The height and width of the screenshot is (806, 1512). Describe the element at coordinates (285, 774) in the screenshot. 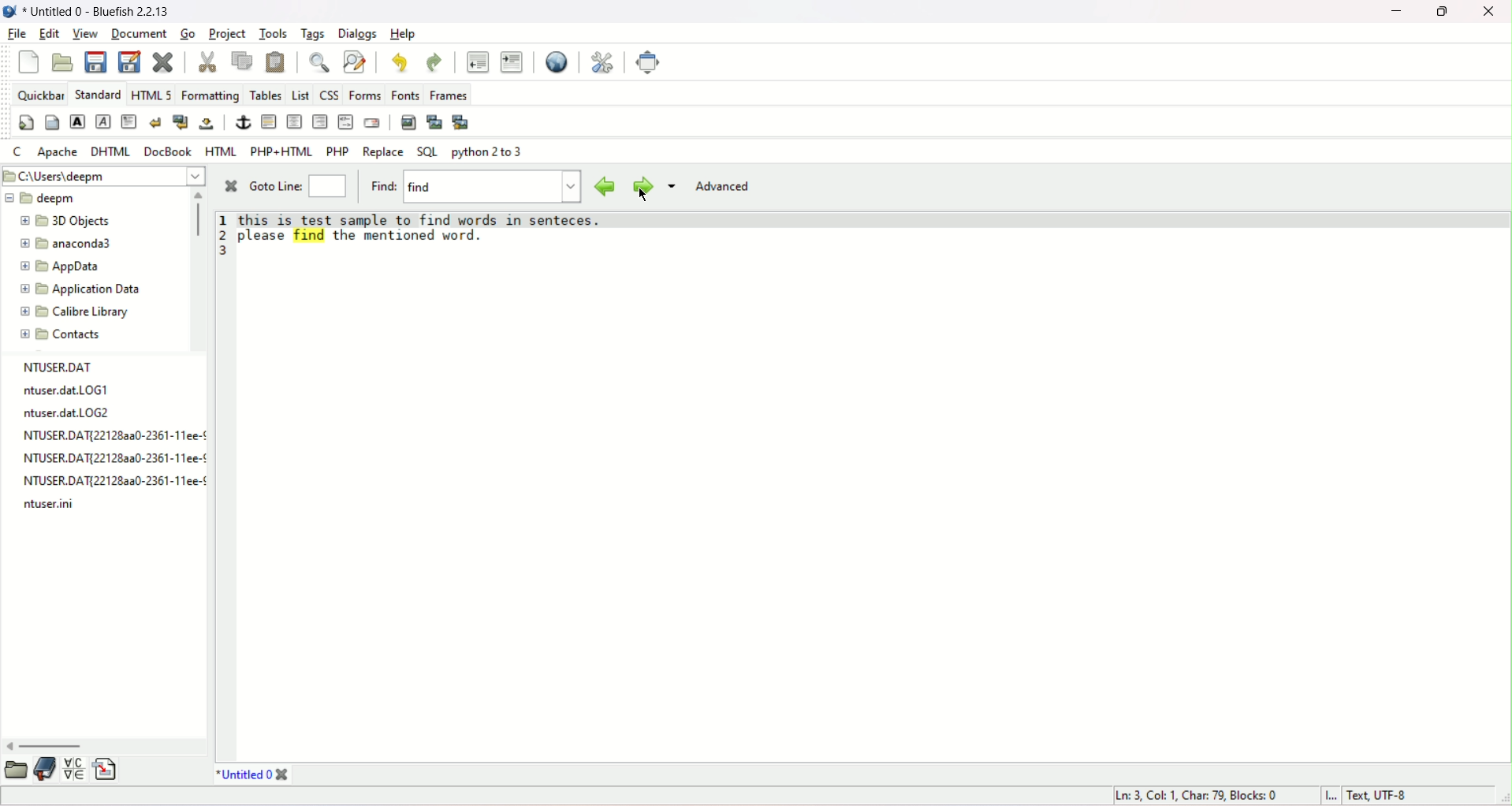

I see `close current tab` at that location.